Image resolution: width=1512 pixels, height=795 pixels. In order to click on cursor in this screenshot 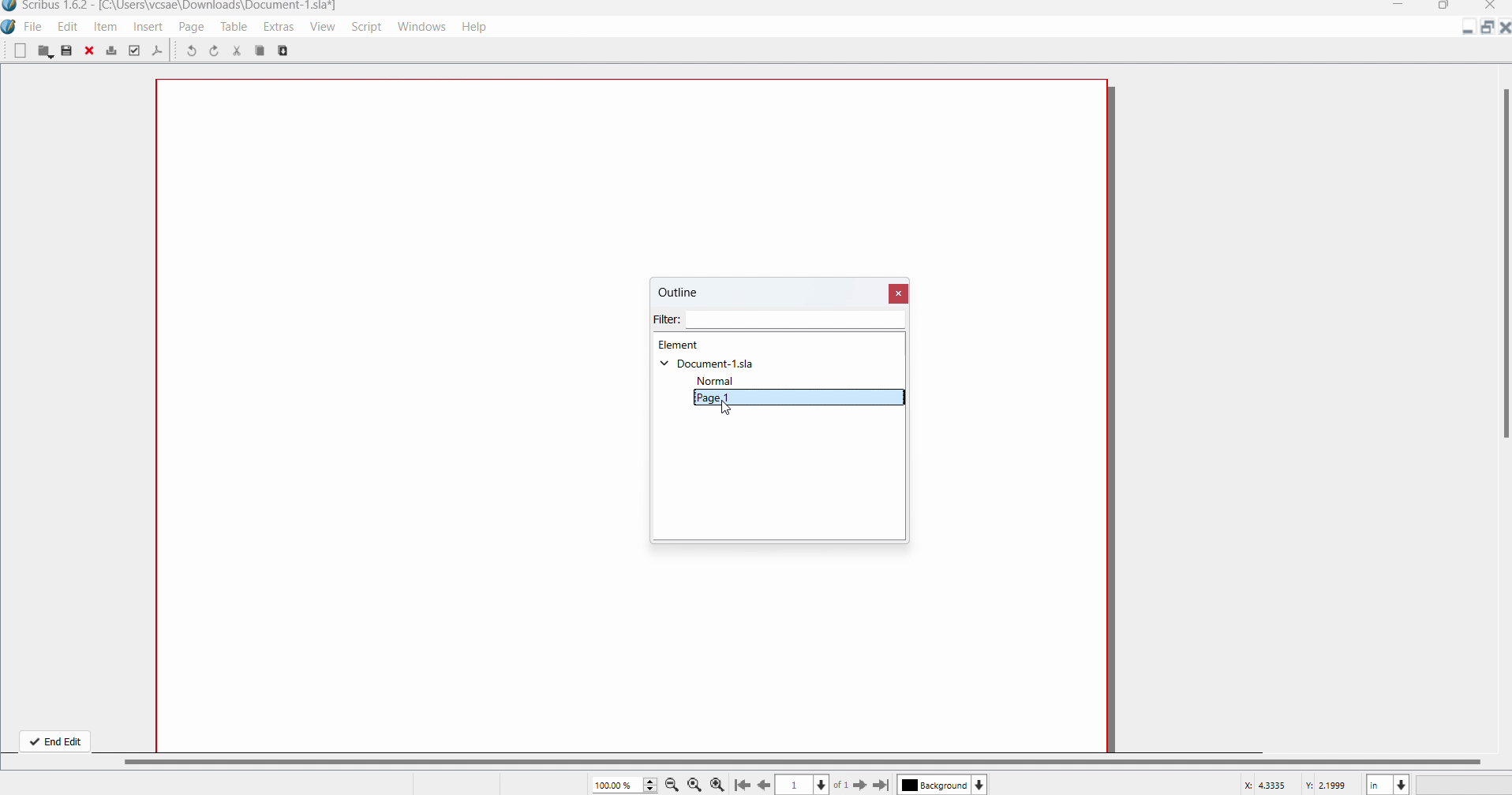, I will do `click(732, 411)`.